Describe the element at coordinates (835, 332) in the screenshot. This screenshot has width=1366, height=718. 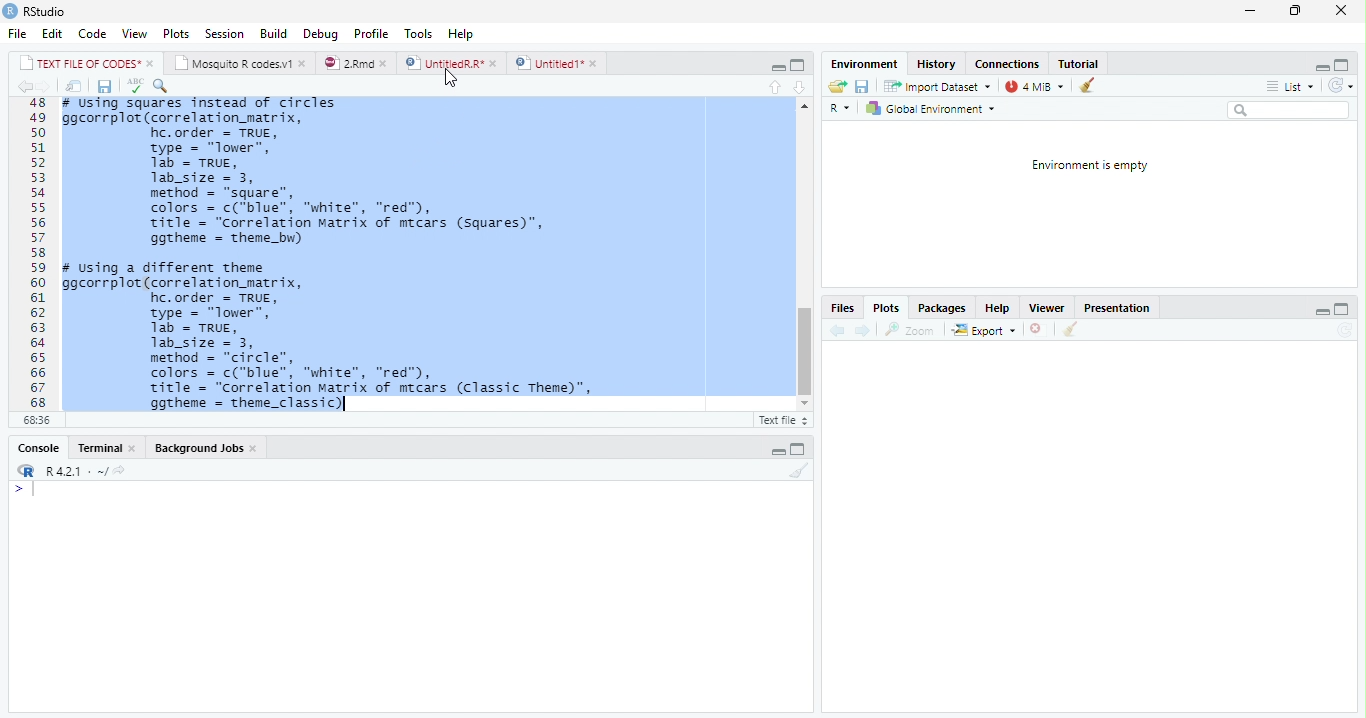
I see `go back` at that location.